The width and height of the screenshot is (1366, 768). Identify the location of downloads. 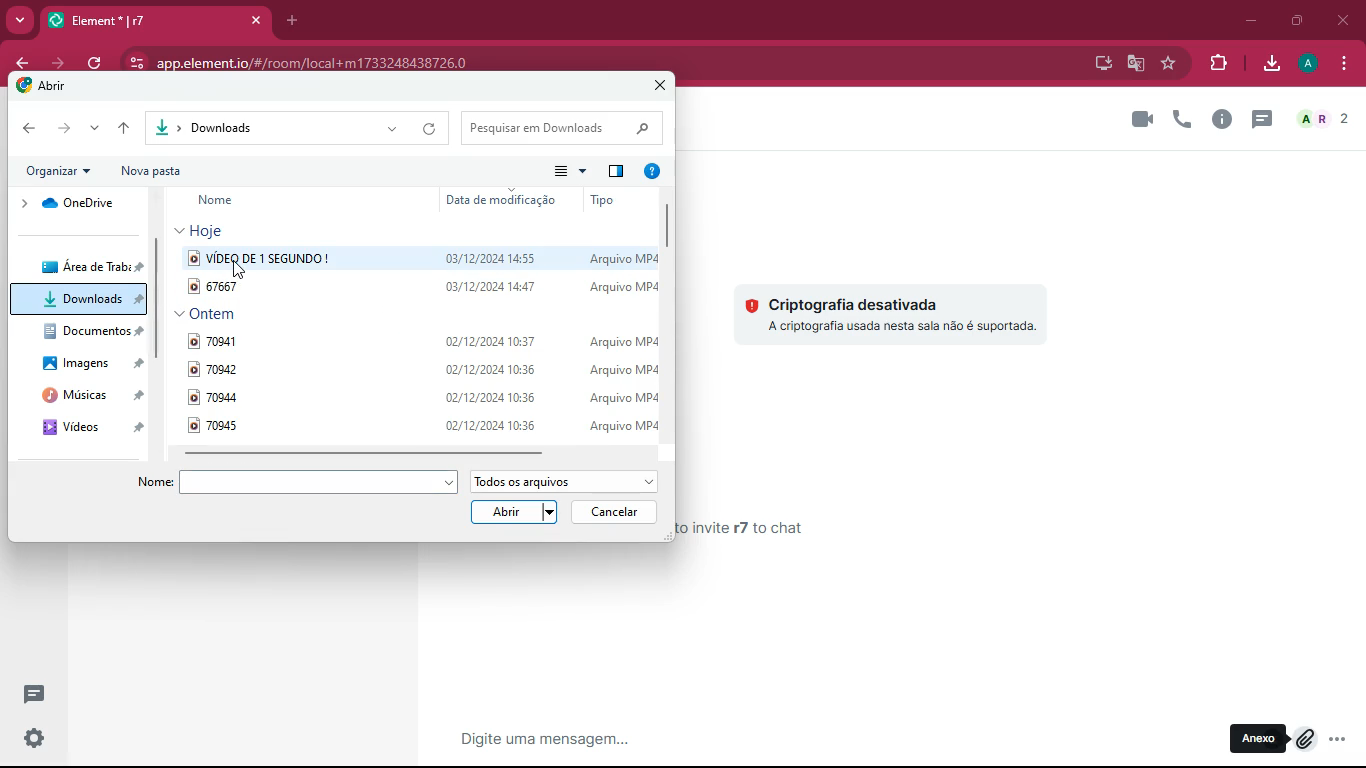
(86, 298).